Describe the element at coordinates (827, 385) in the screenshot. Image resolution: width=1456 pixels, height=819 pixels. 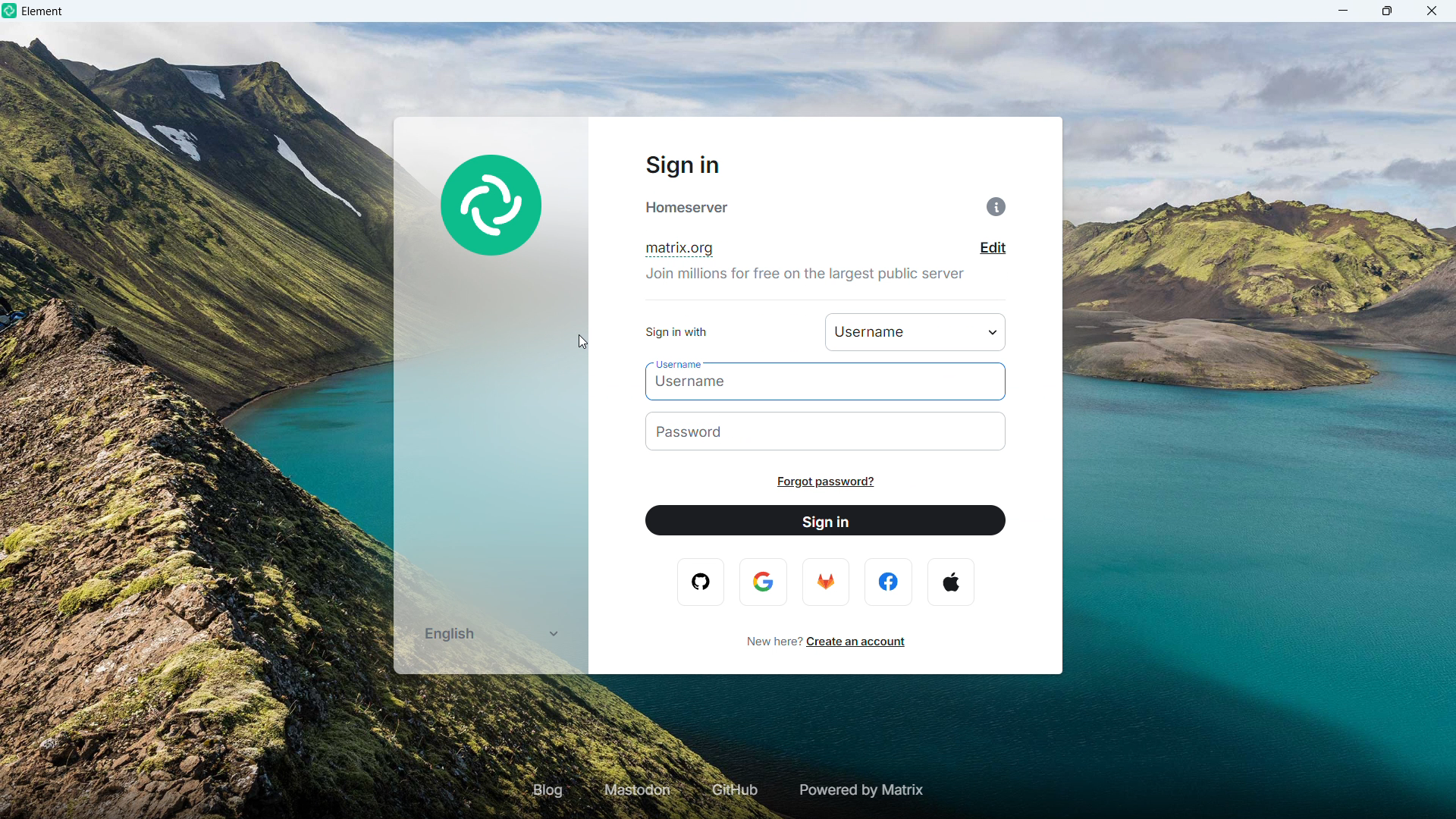
I see `Enter username ` at that location.